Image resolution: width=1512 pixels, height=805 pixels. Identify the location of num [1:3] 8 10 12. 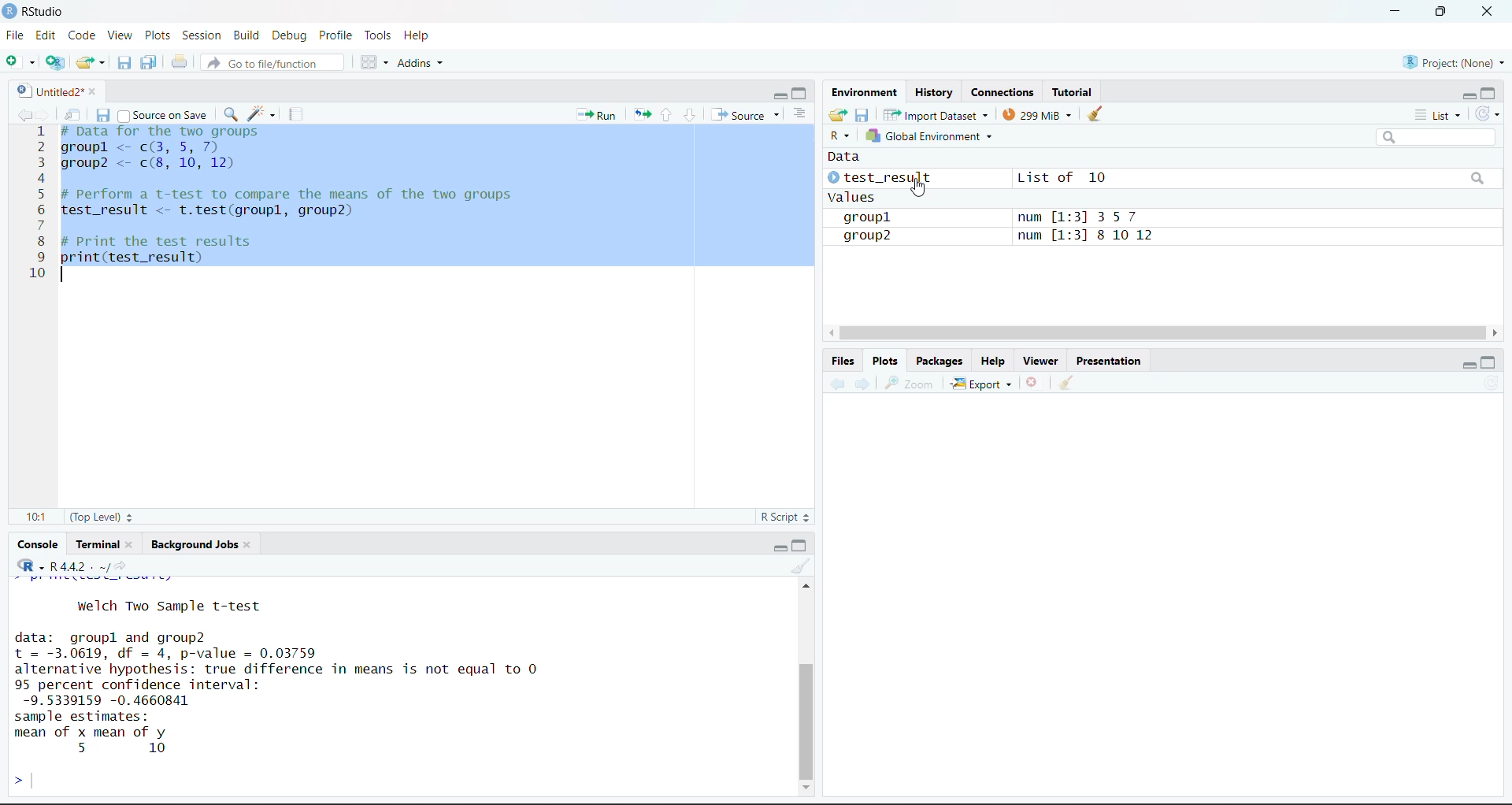
(1091, 236).